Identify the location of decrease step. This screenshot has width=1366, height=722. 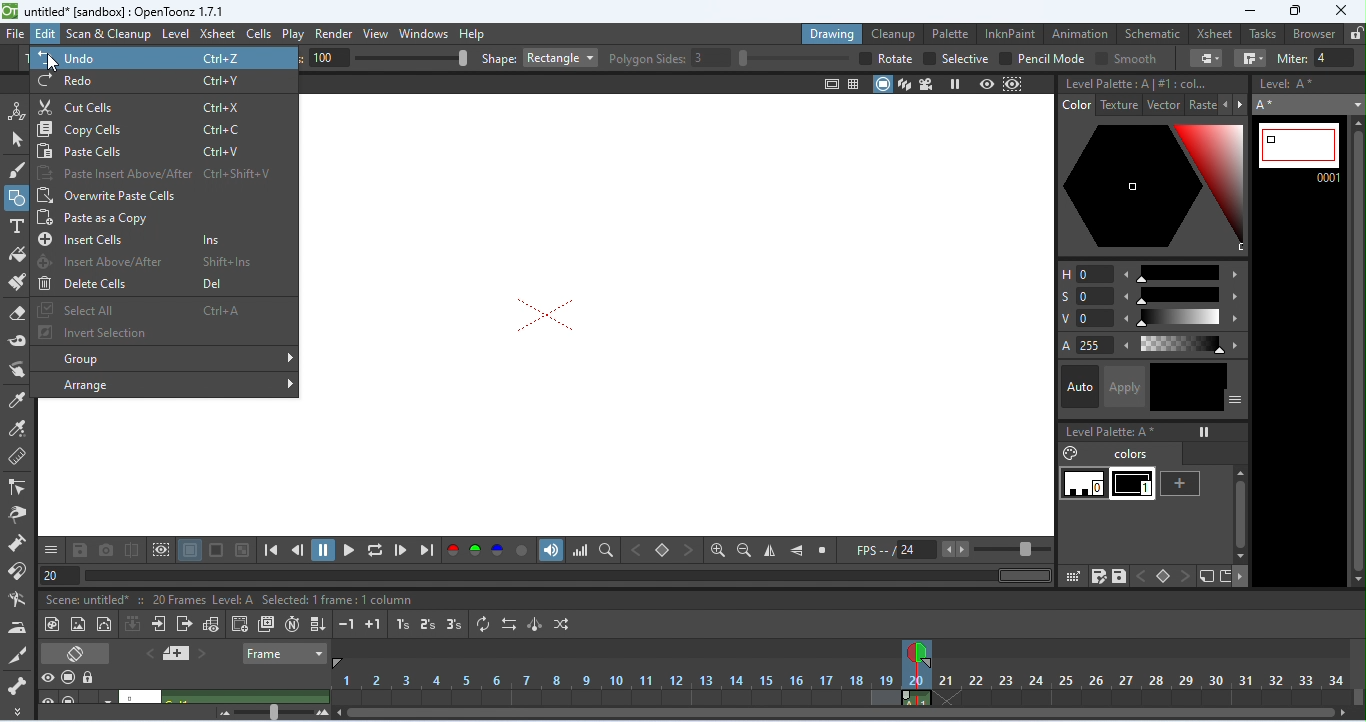
(345, 624).